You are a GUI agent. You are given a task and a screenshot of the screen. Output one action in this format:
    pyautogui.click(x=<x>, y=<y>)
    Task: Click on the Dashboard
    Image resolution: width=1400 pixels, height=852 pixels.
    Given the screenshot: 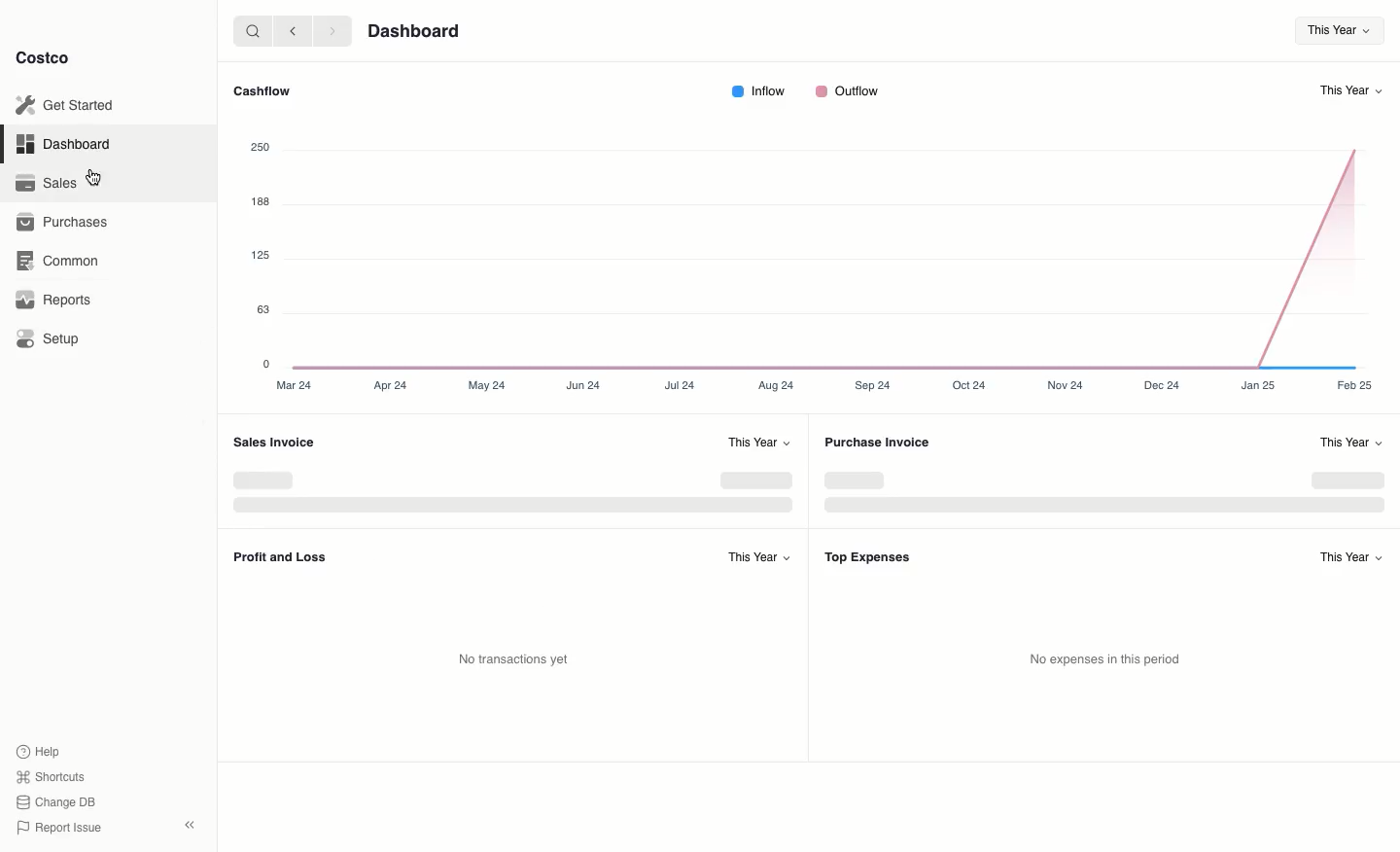 What is the action you would take?
    pyautogui.click(x=68, y=145)
    